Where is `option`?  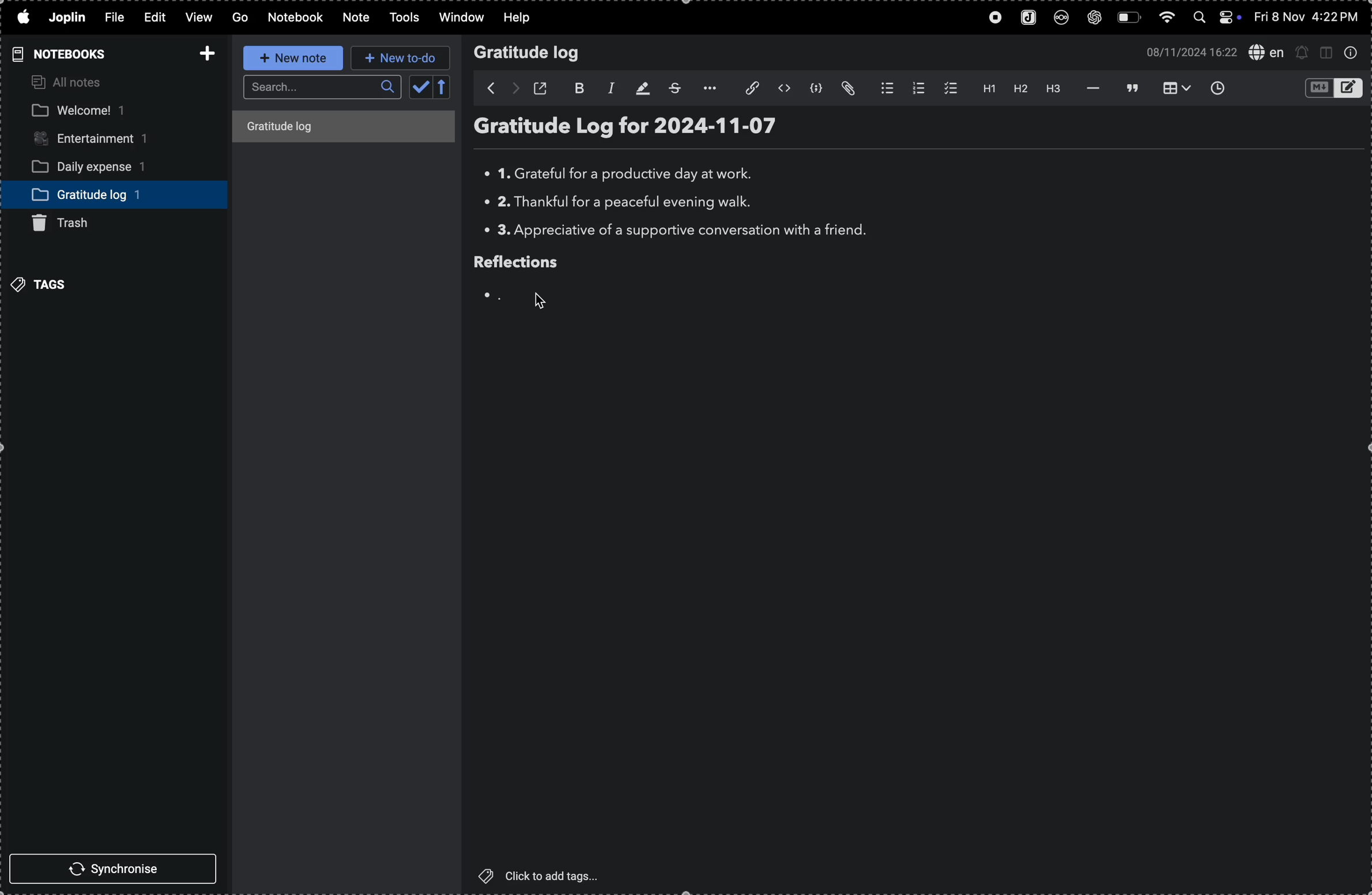 option is located at coordinates (711, 88).